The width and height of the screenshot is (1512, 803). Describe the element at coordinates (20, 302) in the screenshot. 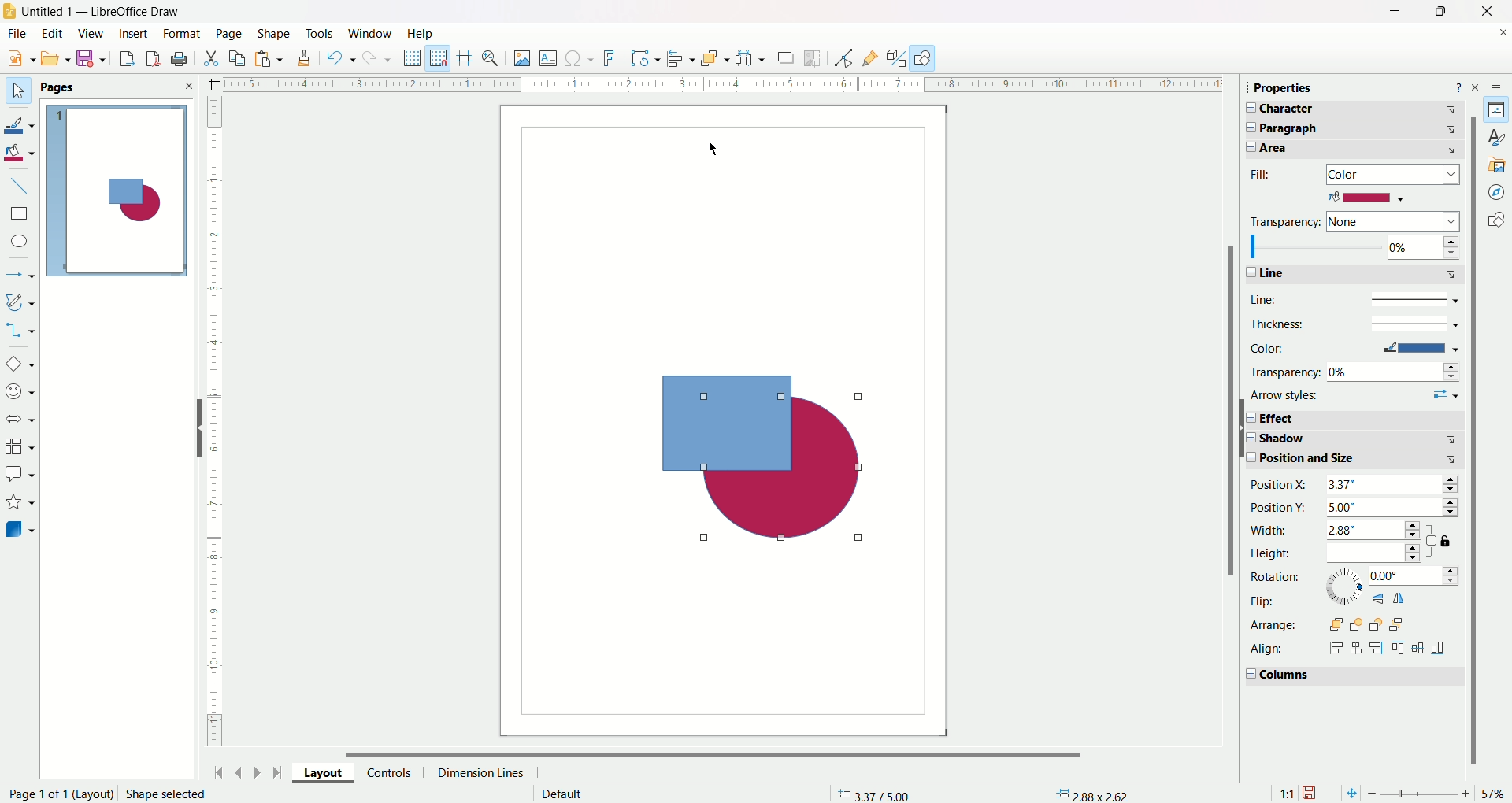

I see `curves and polygons` at that location.